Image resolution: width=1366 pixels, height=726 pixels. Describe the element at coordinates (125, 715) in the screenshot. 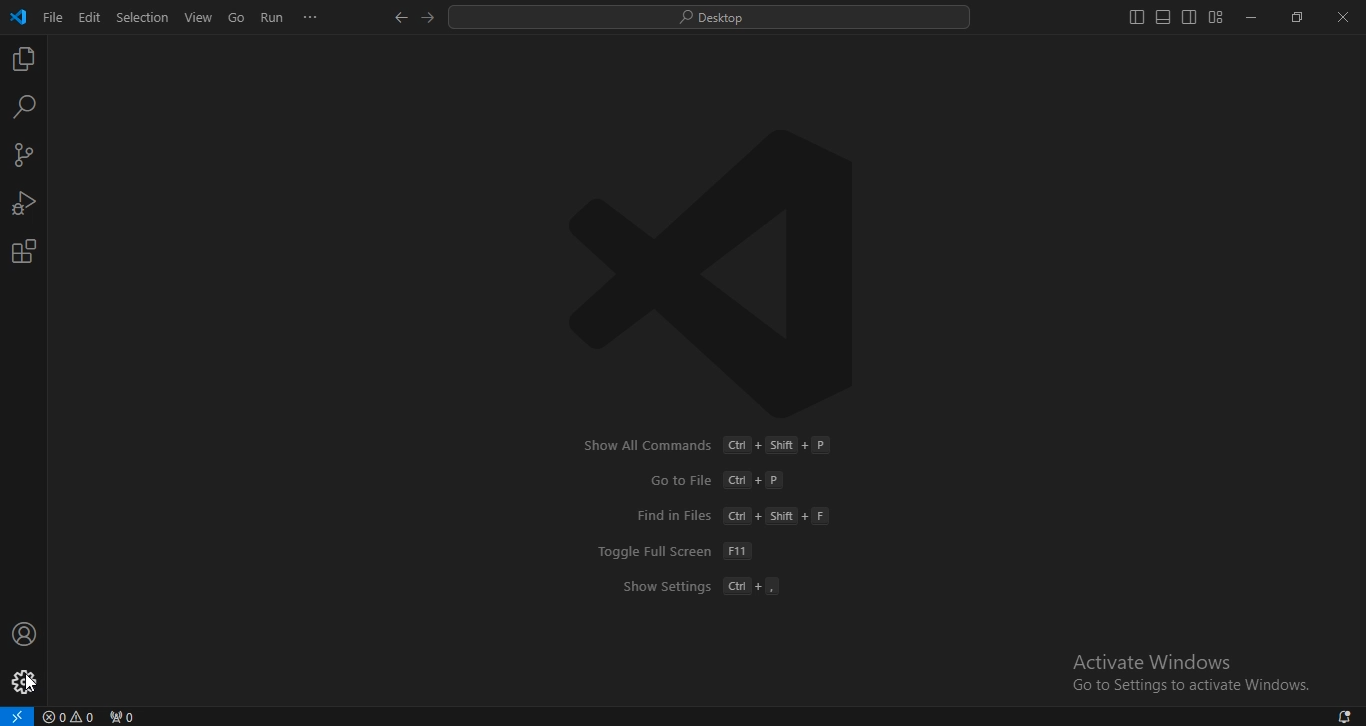

I see `No ports forwarded` at that location.